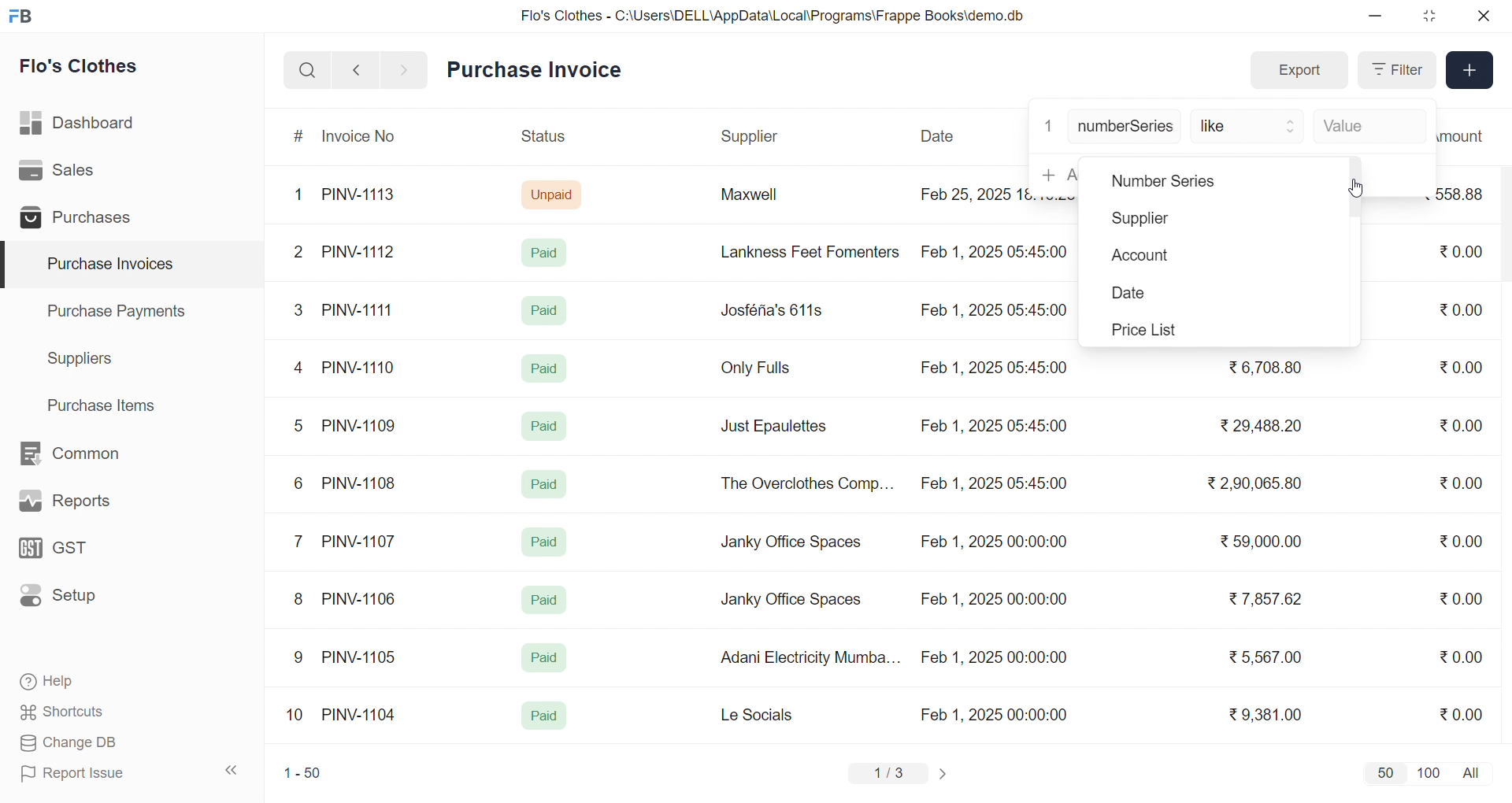 The width and height of the screenshot is (1512, 803). I want to click on Invoice No, so click(365, 137).